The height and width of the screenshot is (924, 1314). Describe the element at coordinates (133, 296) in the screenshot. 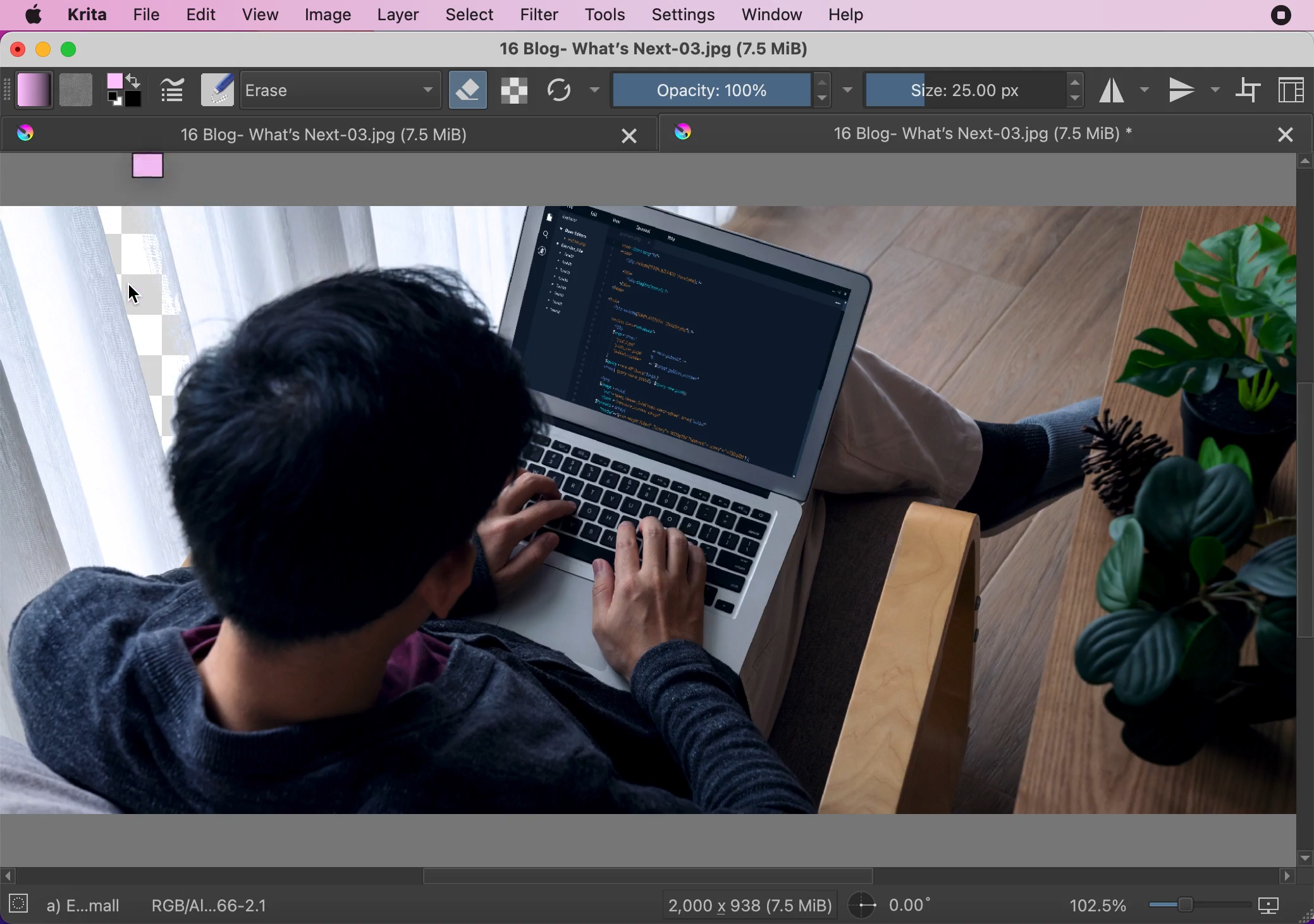

I see `Cursor` at that location.